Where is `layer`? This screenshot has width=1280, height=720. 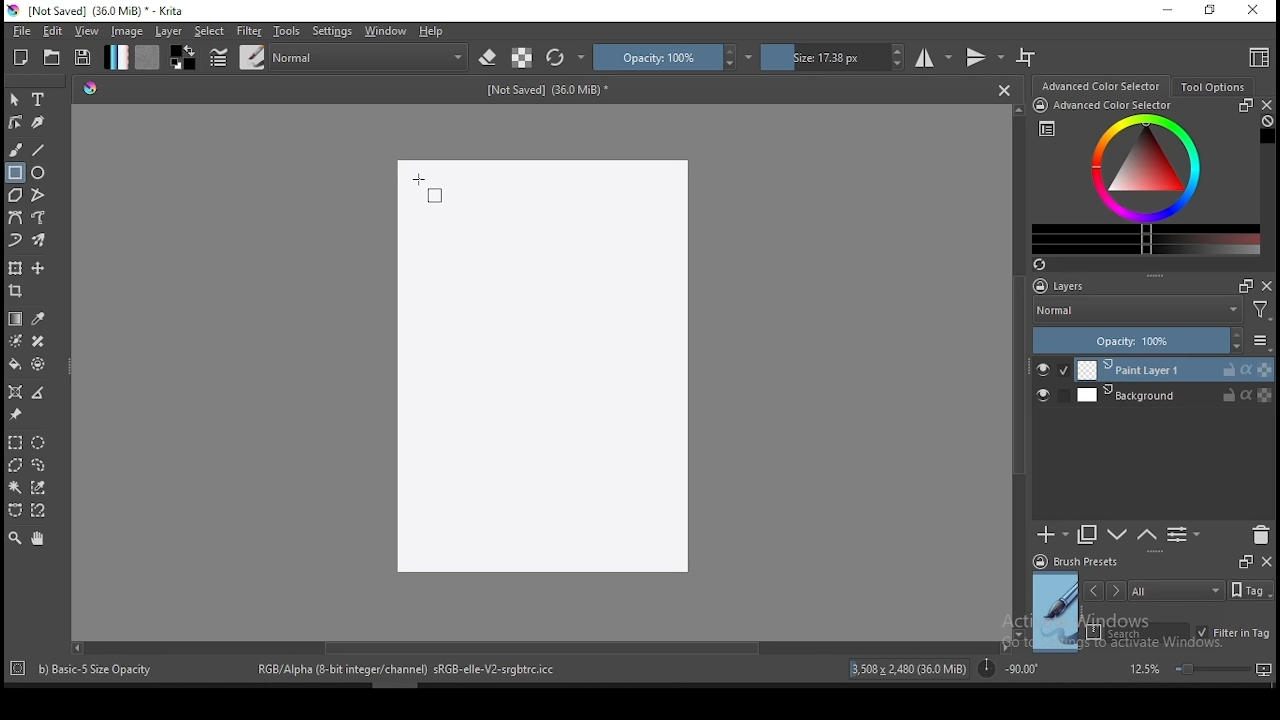 layer is located at coordinates (170, 31).